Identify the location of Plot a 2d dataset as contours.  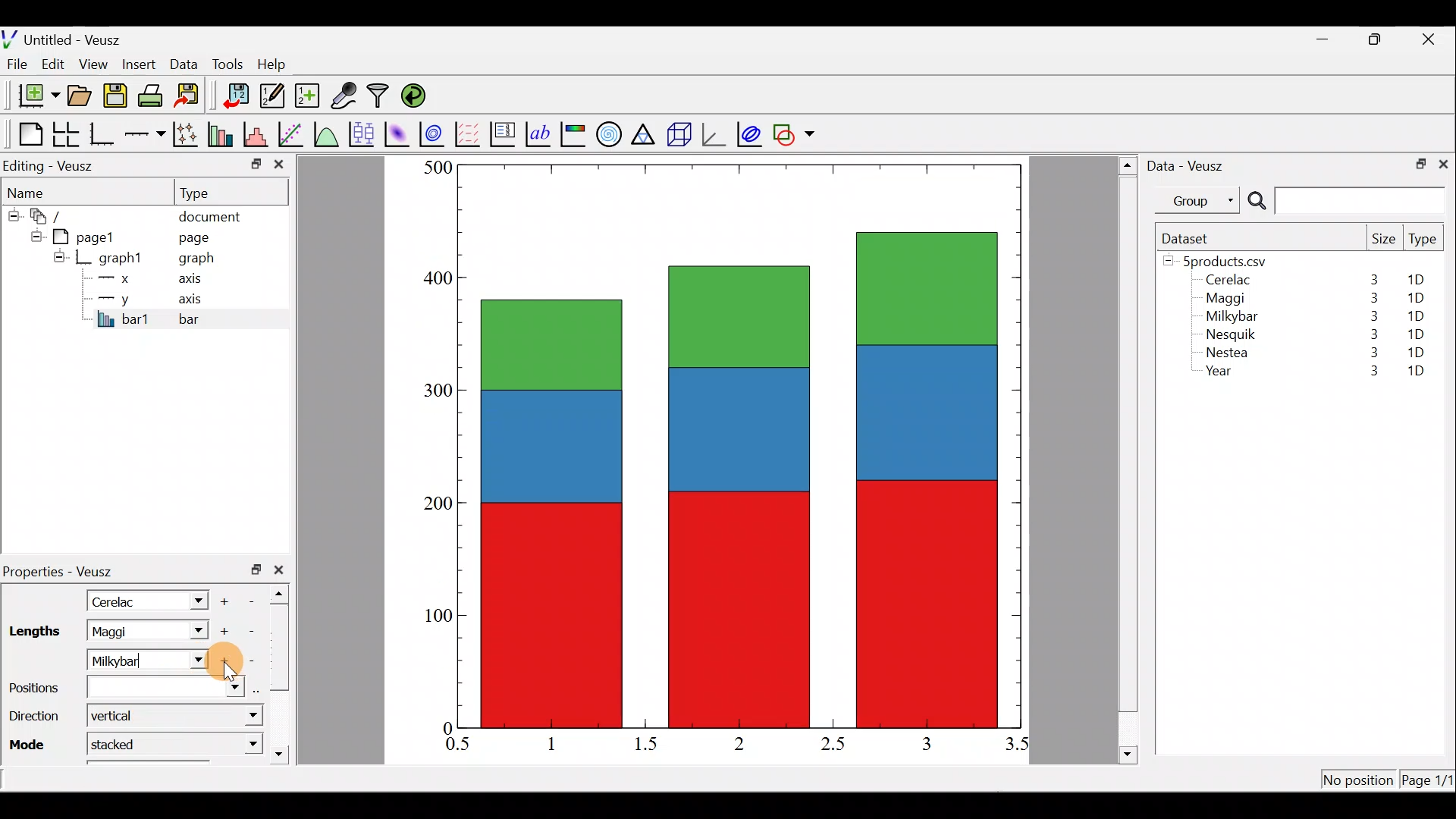
(435, 133).